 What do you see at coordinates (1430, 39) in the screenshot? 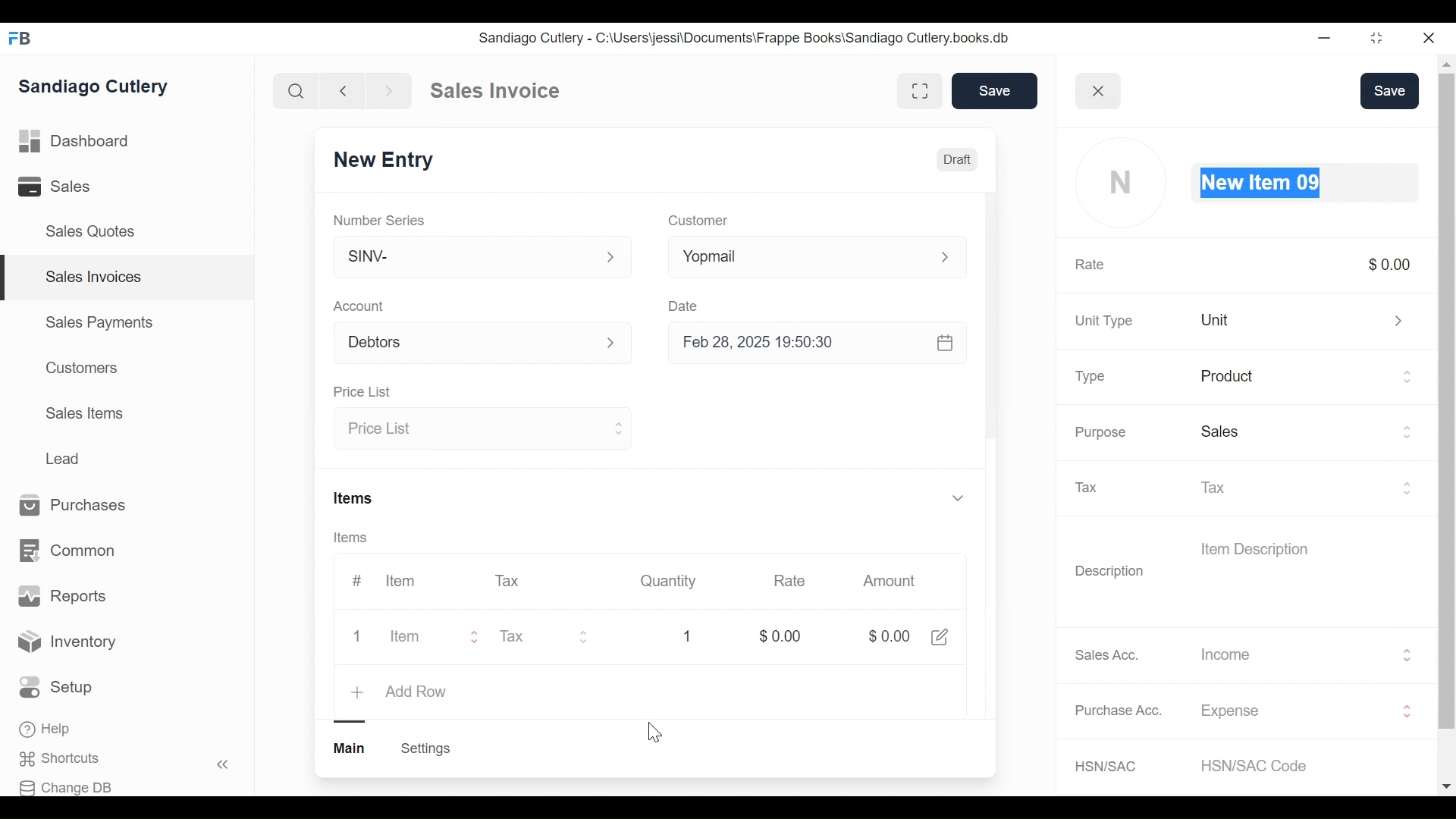
I see `close` at bounding box center [1430, 39].